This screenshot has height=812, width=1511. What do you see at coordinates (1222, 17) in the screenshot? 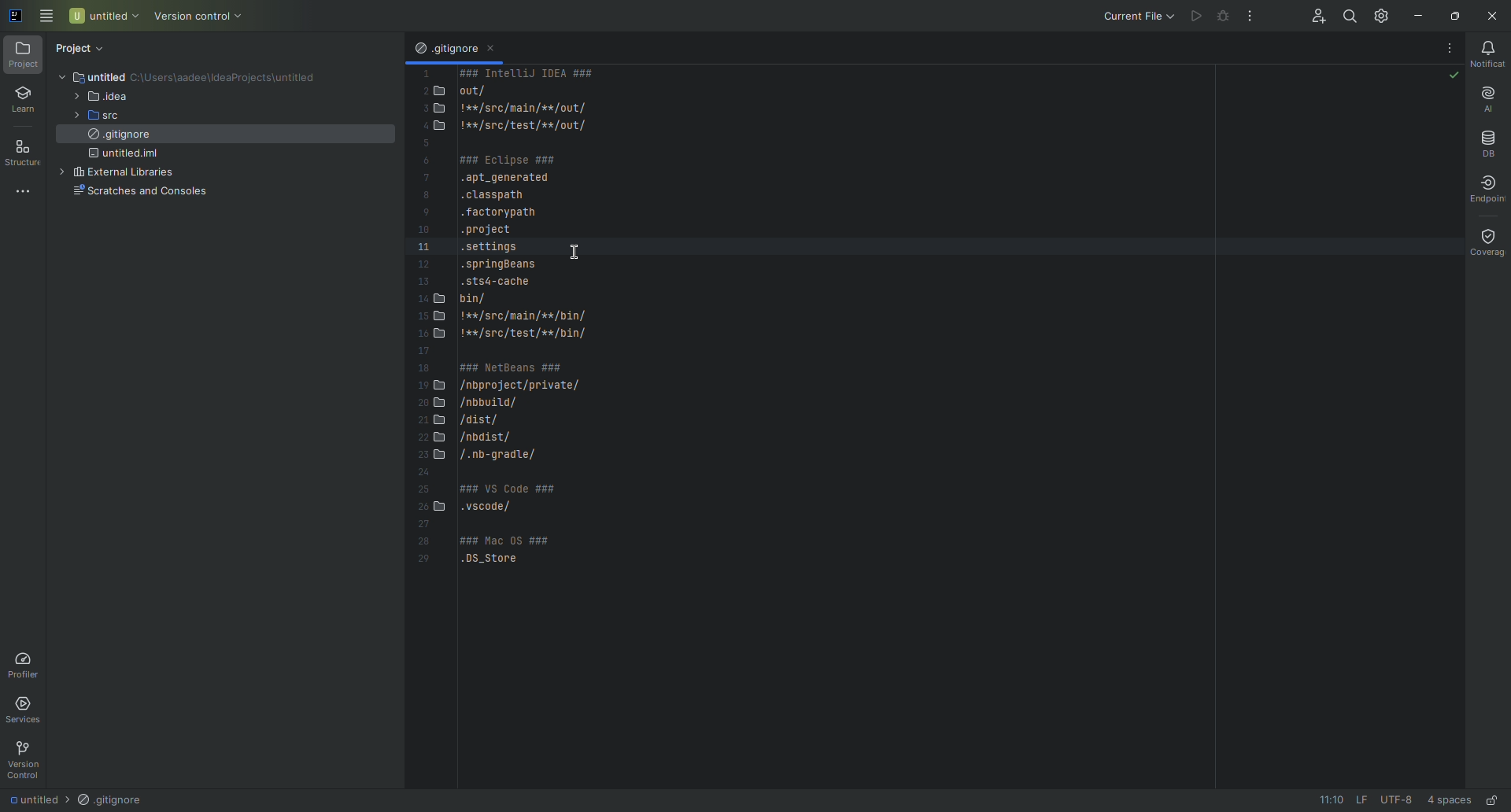
I see `Debug` at bounding box center [1222, 17].